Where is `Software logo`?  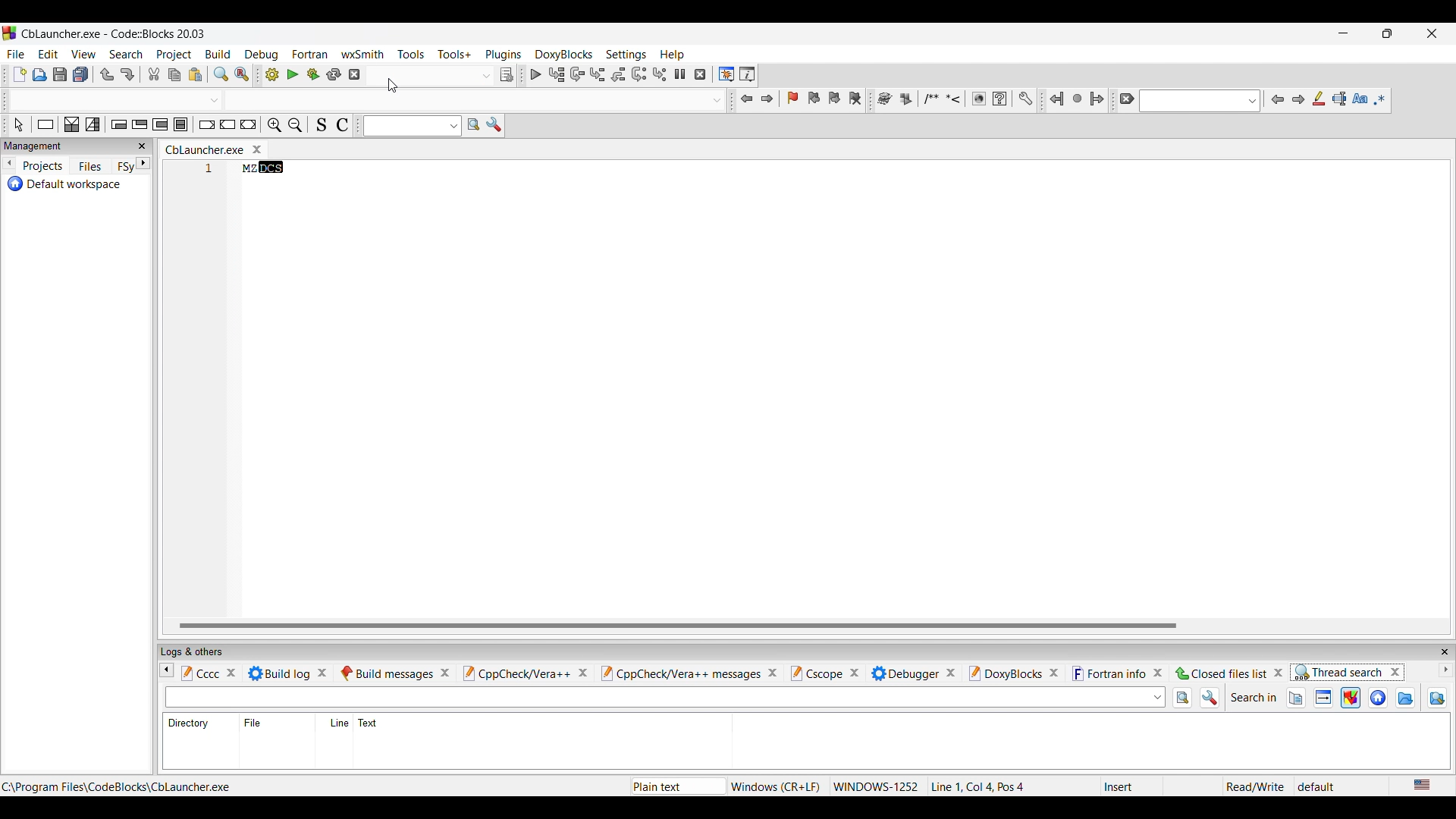 Software logo is located at coordinates (10, 33).